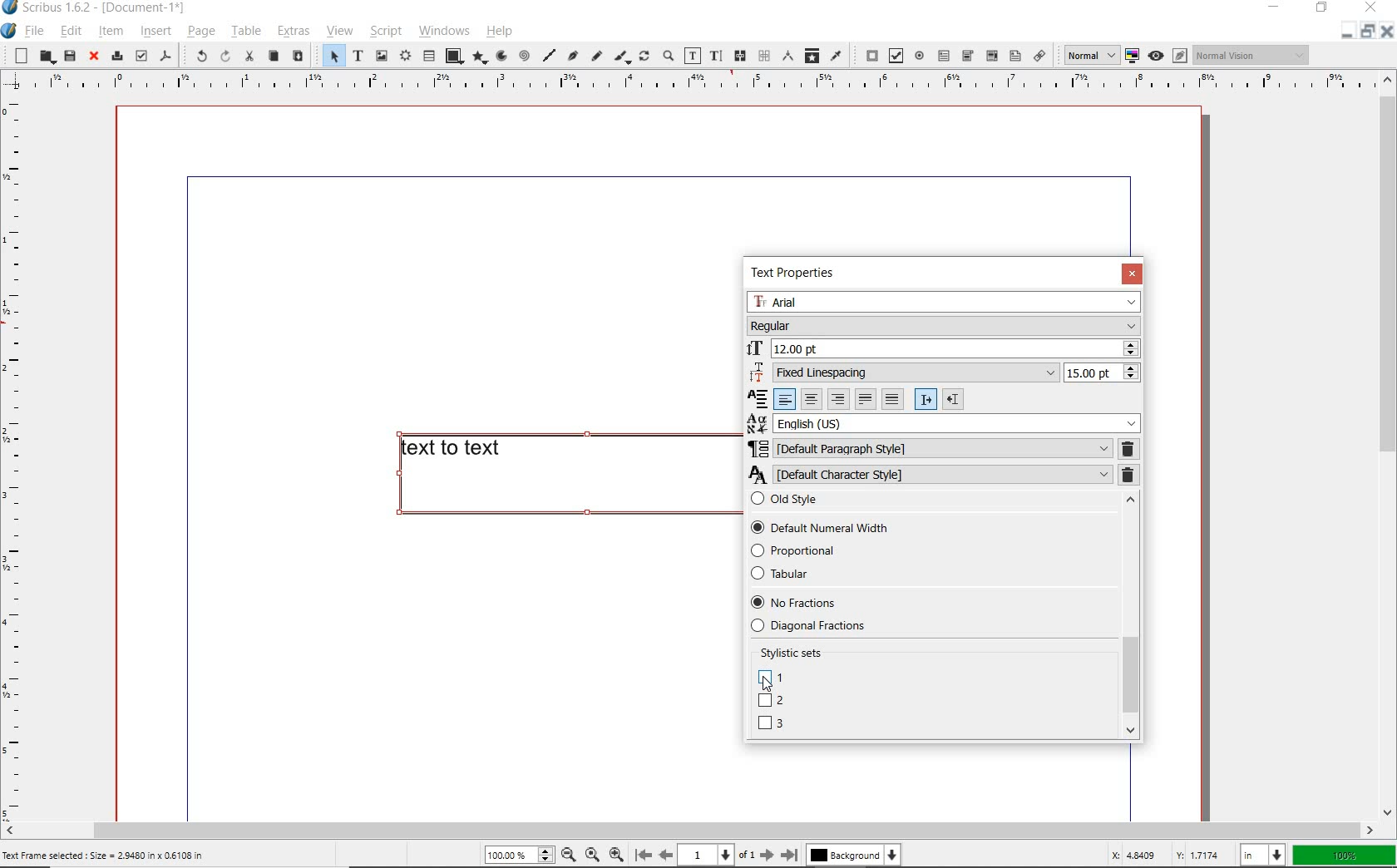 The width and height of the screenshot is (1397, 868). I want to click on Text justified, so click(866, 398).